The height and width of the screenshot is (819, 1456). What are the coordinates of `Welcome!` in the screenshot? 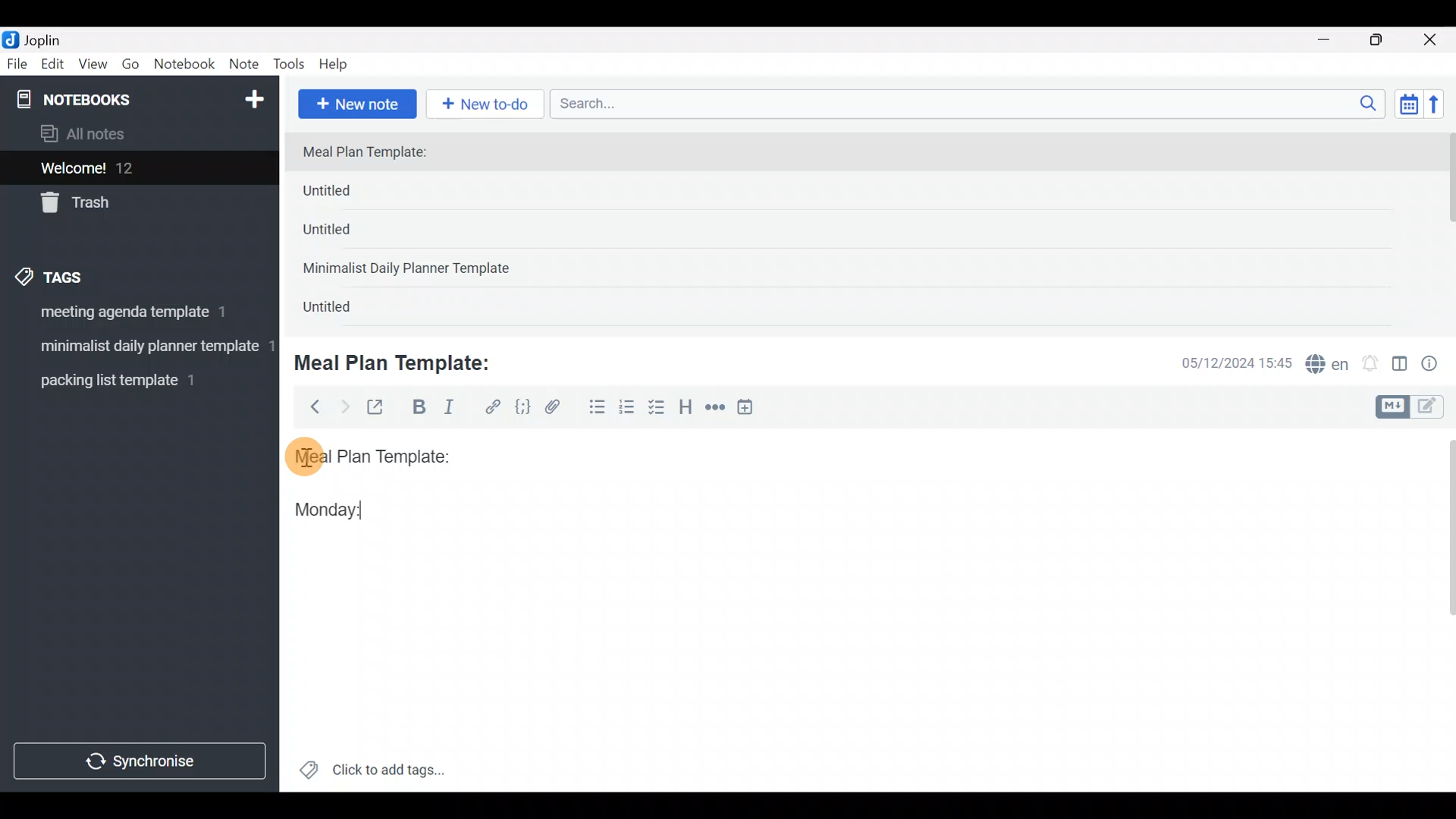 It's located at (137, 169).